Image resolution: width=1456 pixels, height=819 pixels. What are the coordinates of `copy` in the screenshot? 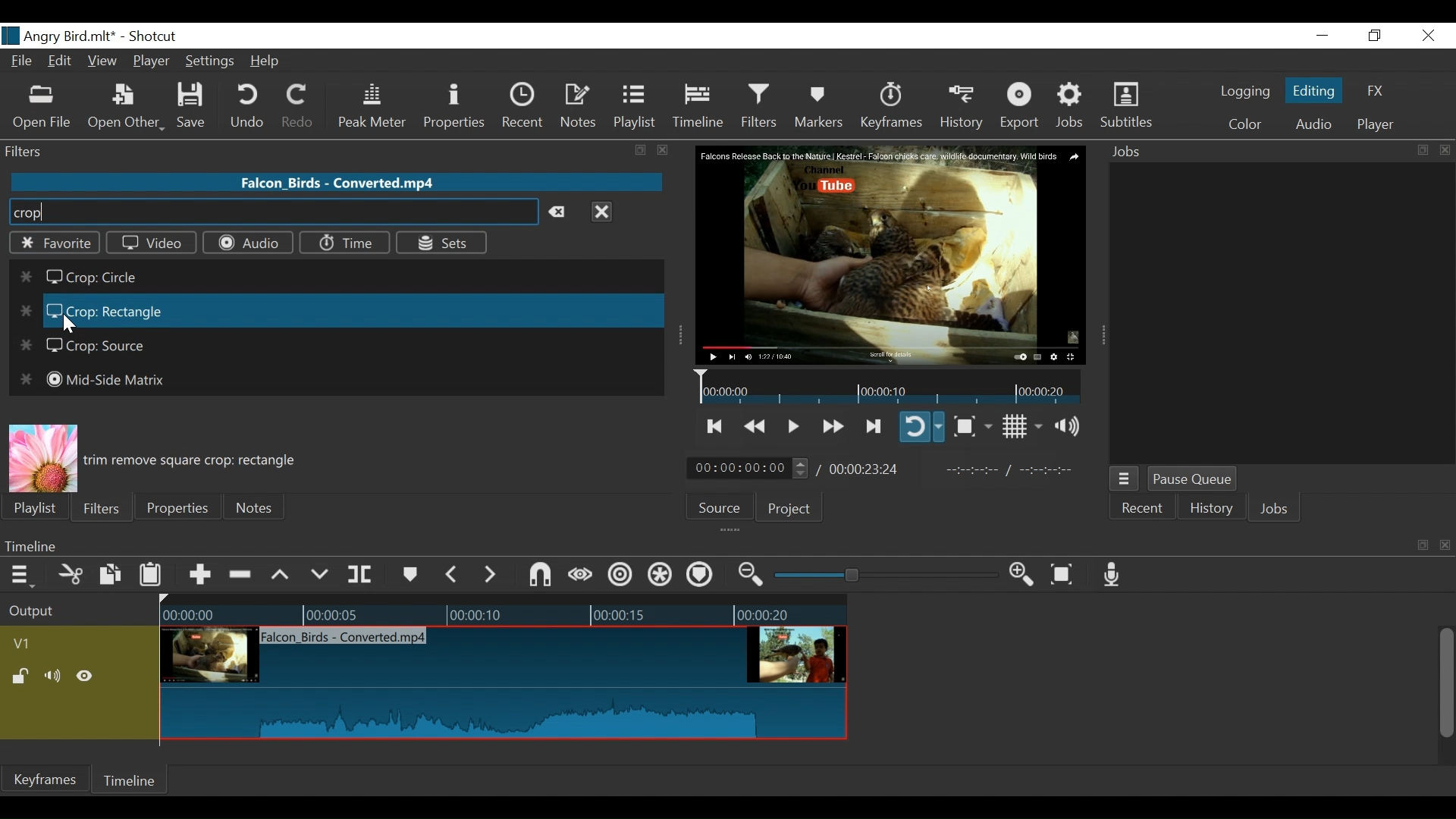 It's located at (642, 151).